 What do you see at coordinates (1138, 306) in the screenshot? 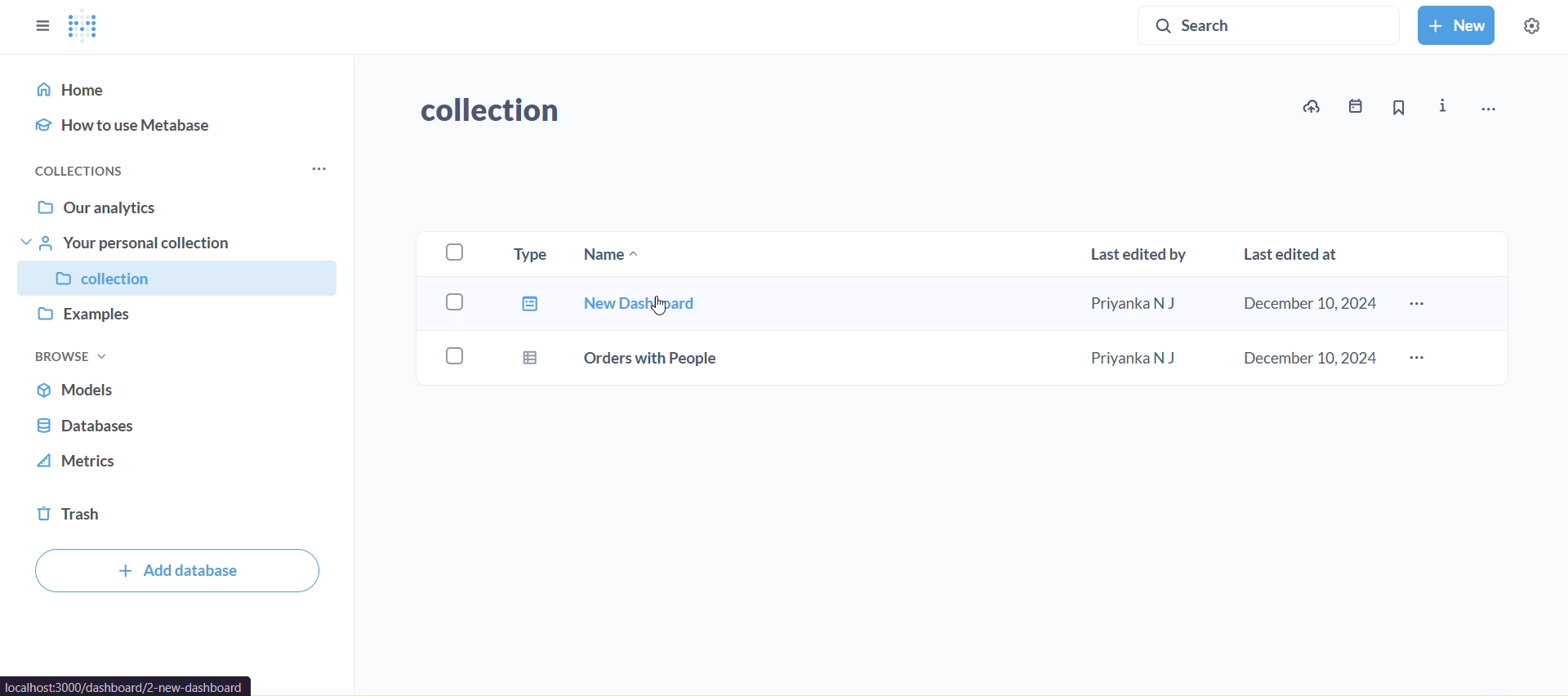
I see `priyanka n j` at bounding box center [1138, 306].